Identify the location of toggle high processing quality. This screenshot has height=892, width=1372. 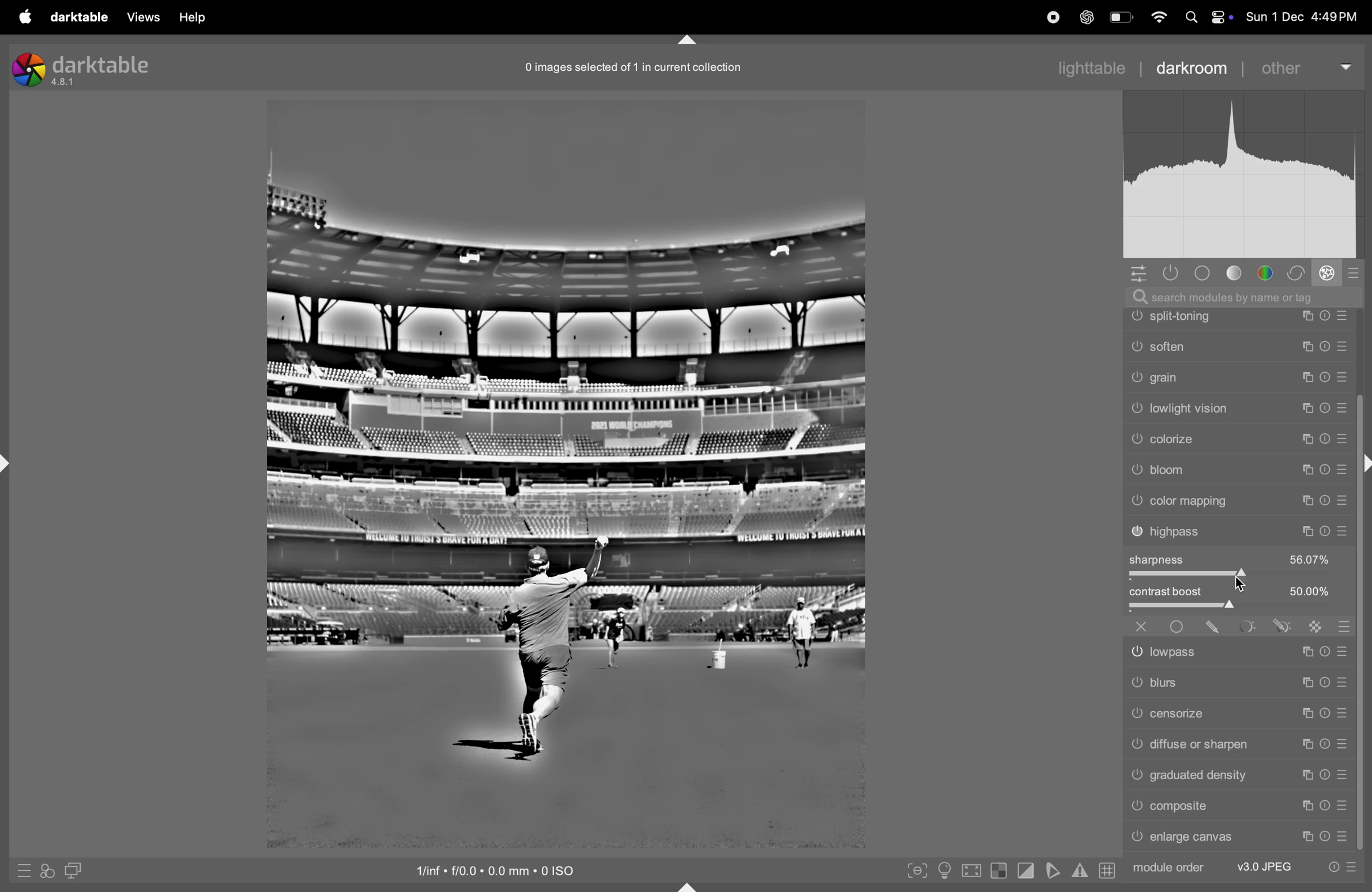
(971, 870).